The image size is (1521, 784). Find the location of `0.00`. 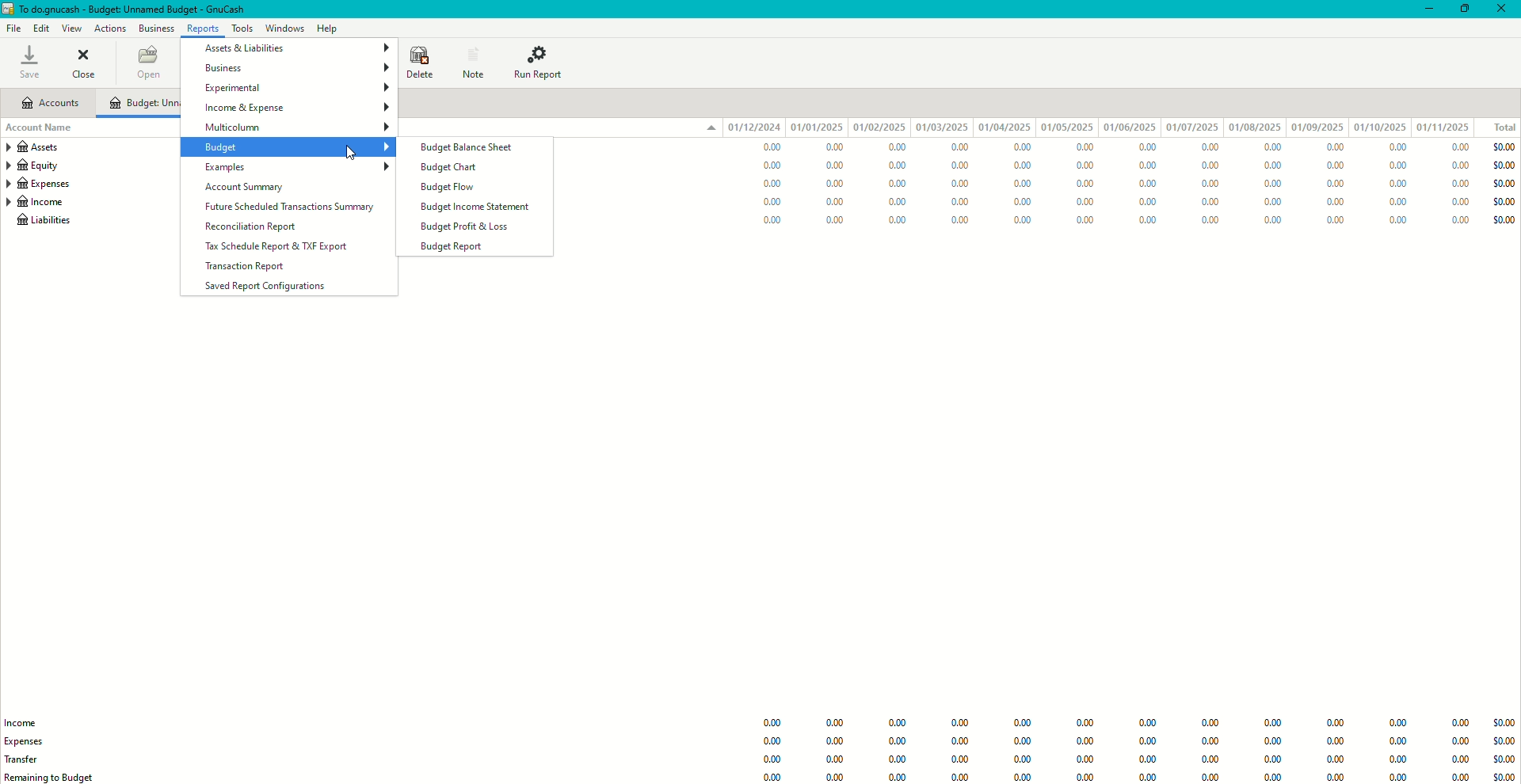

0.00 is located at coordinates (1210, 778).